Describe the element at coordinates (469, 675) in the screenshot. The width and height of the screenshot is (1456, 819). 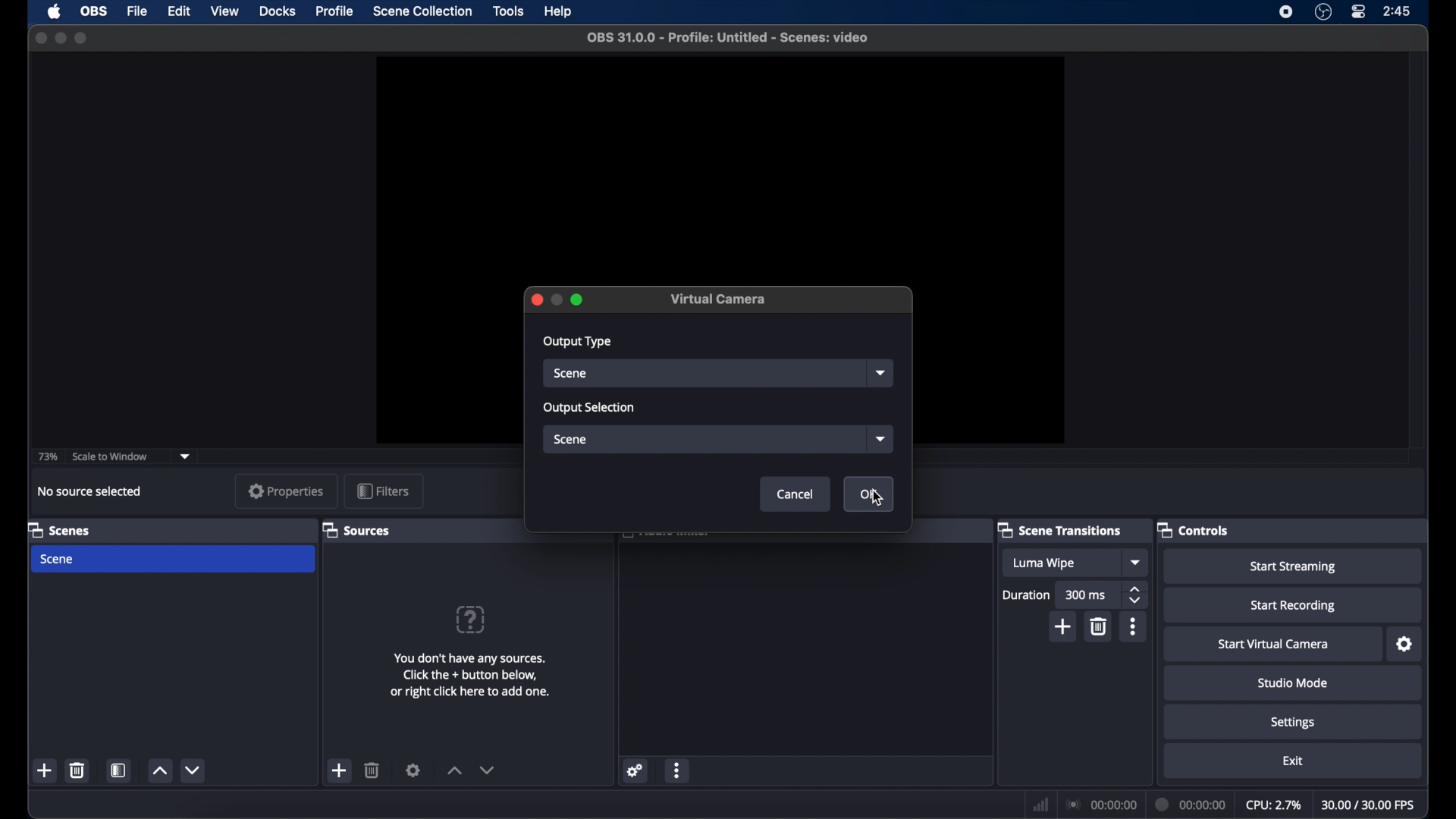
I see `add sources information` at that location.